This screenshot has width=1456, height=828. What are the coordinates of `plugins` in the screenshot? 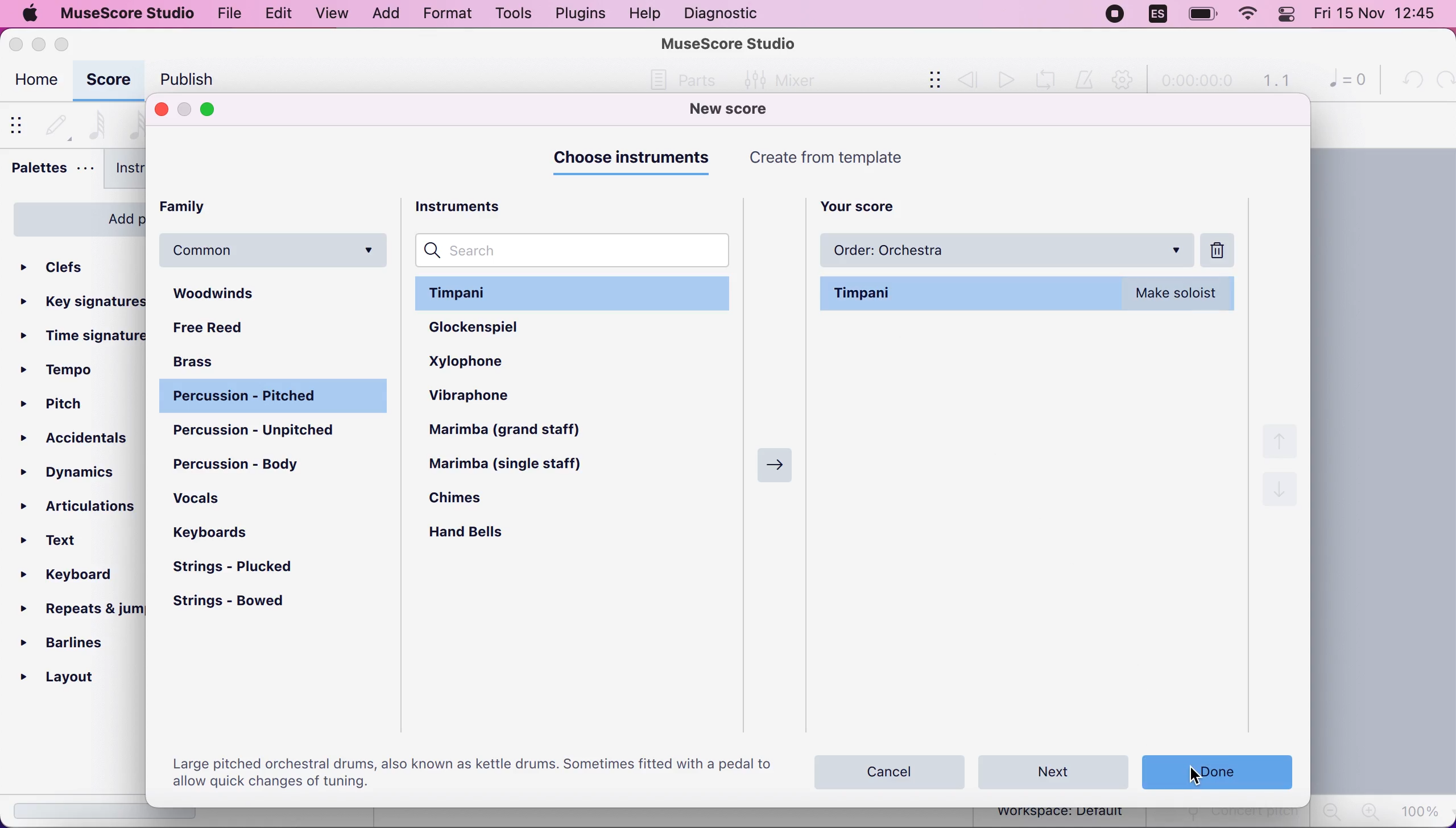 It's located at (579, 14).